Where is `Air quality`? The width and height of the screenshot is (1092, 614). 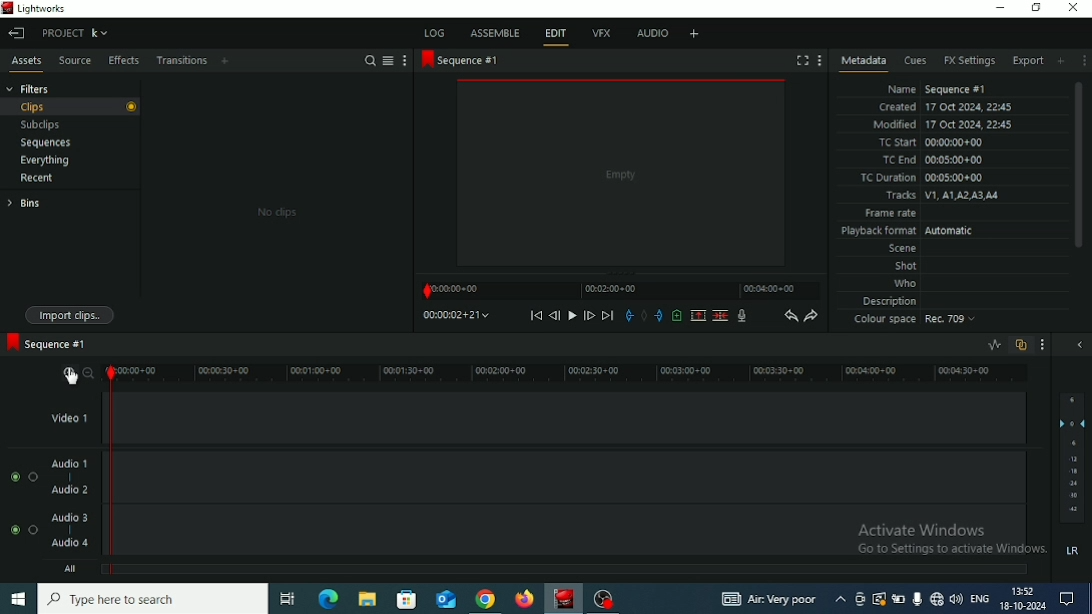
Air quality is located at coordinates (769, 600).